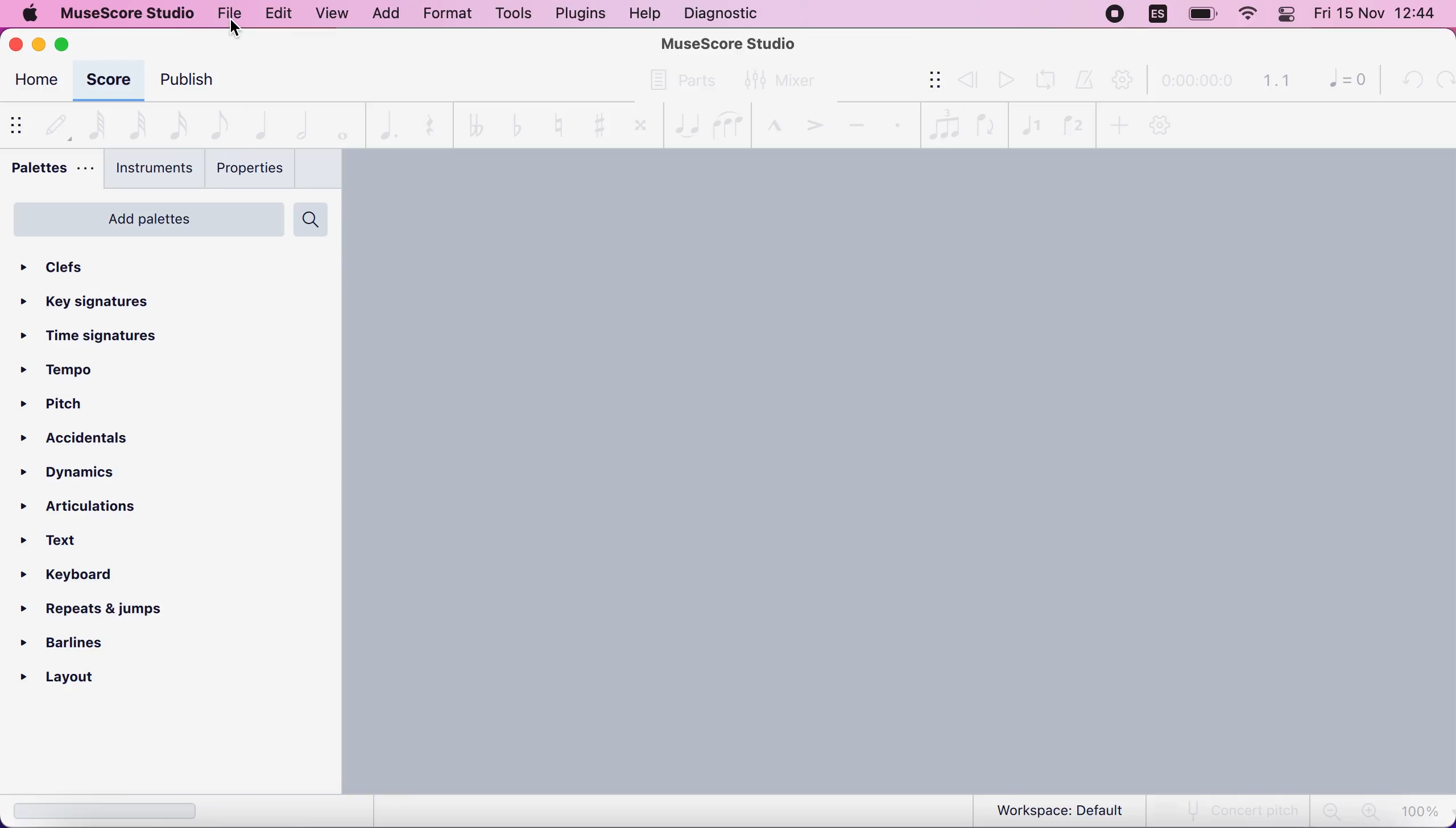  I want to click on tempo, so click(62, 370).